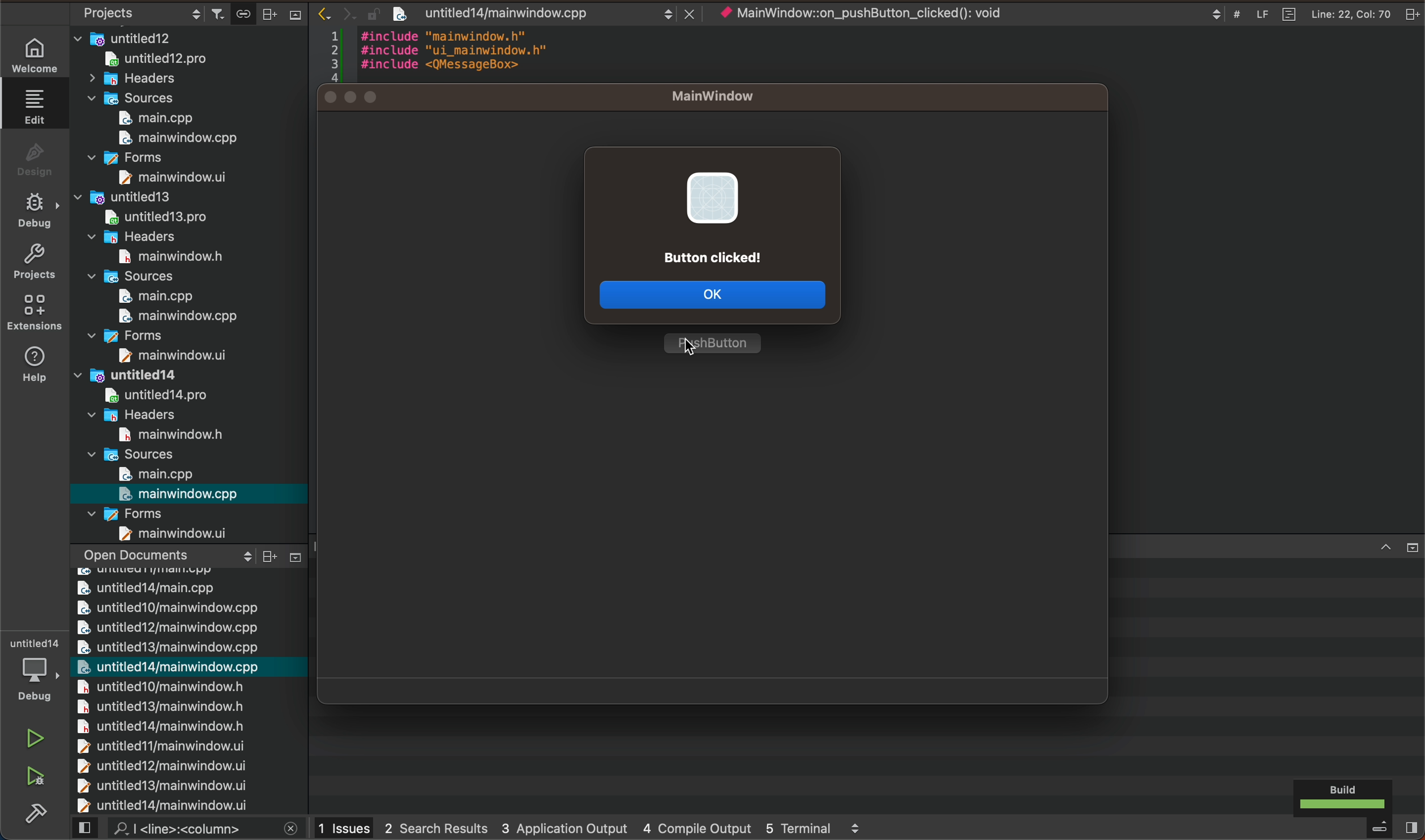 The height and width of the screenshot is (840, 1425). Describe the element at coordinates (36, 812) in the screenshot. I see `` at that location.